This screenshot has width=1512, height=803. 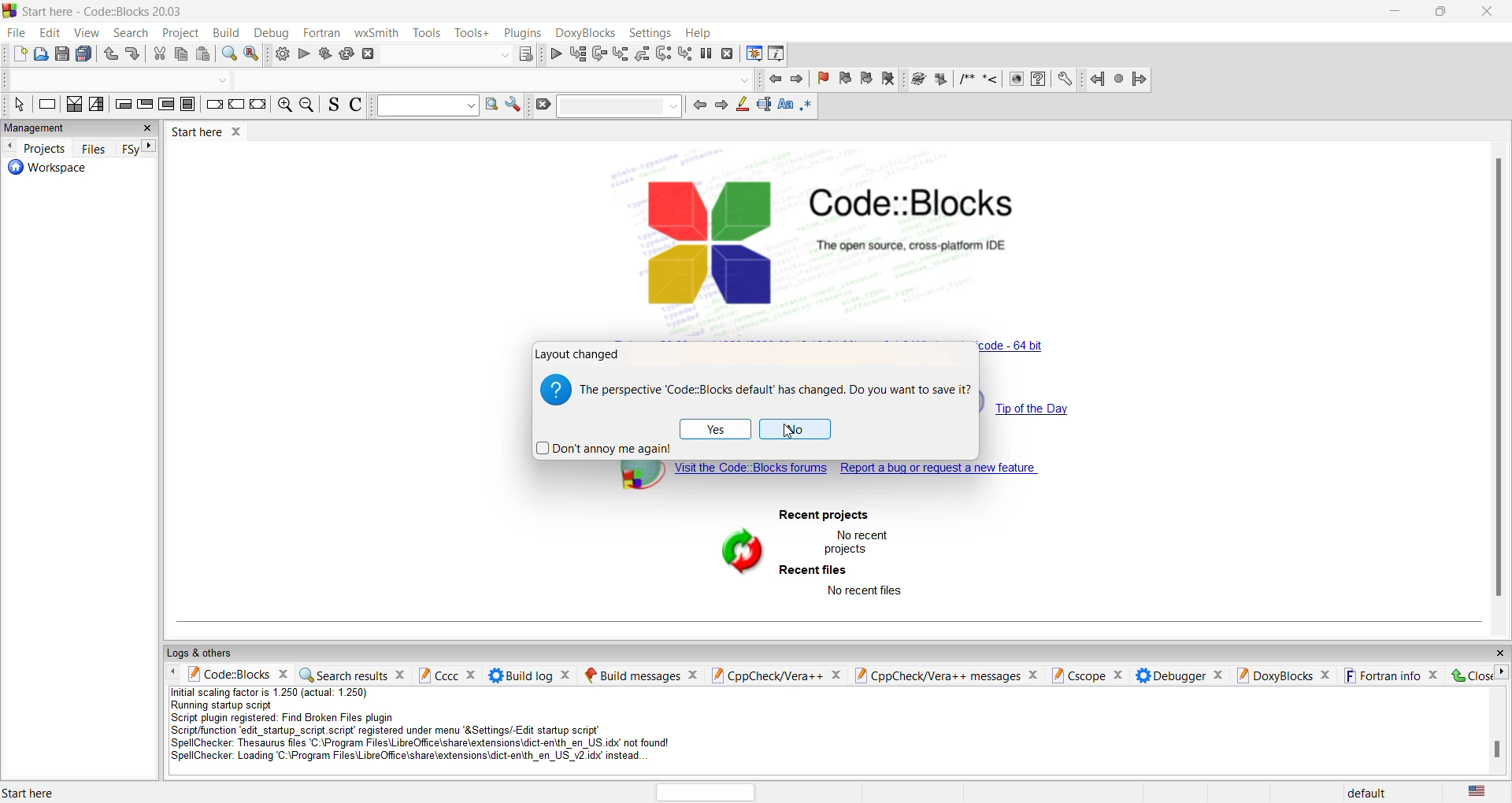 What do you see at coordinates (955, 473) in the screenshot?
I see `report bug` at bounding box center [955, 473].